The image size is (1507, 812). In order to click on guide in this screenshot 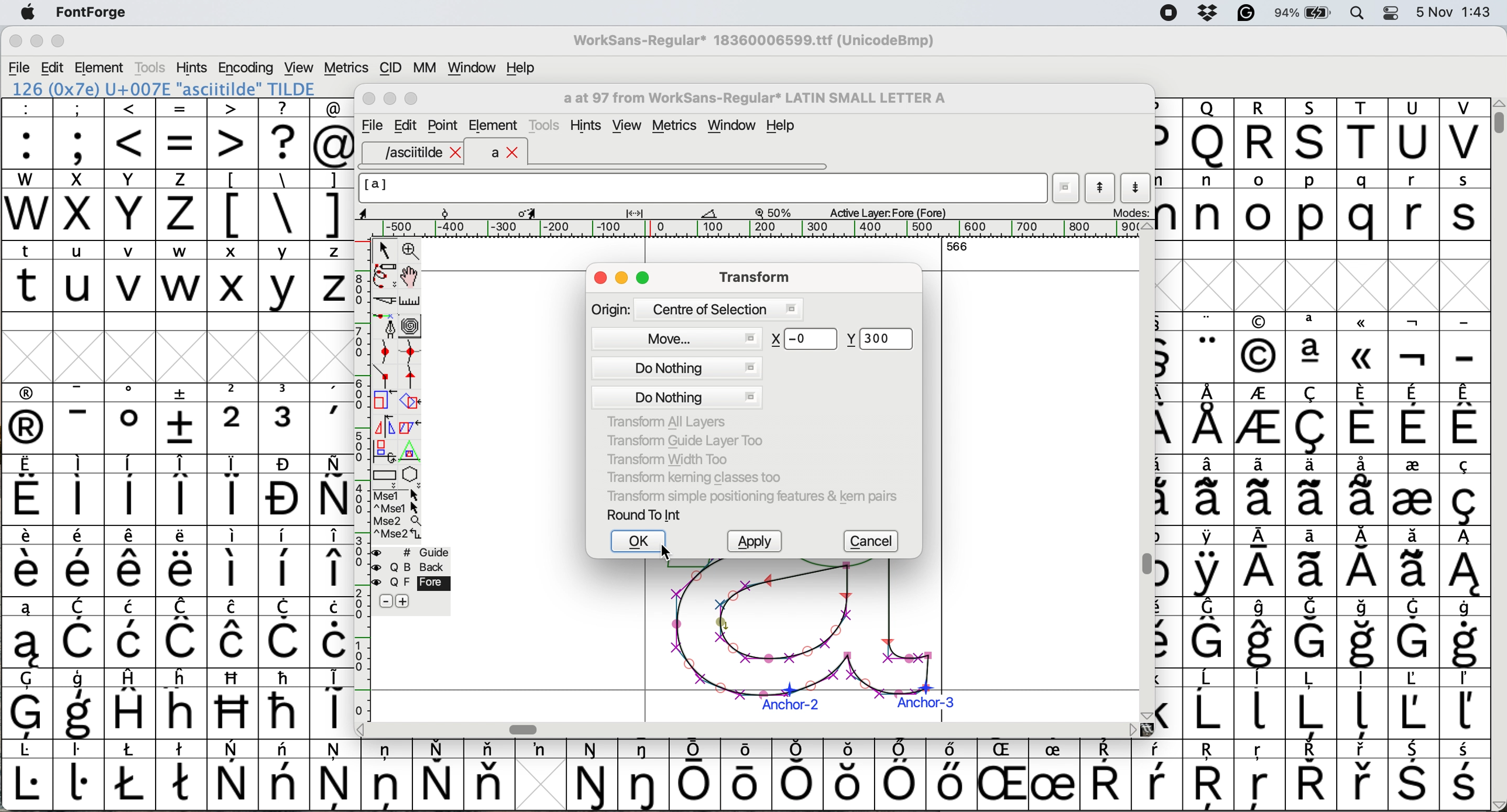, I will do `click(418, 550)`.